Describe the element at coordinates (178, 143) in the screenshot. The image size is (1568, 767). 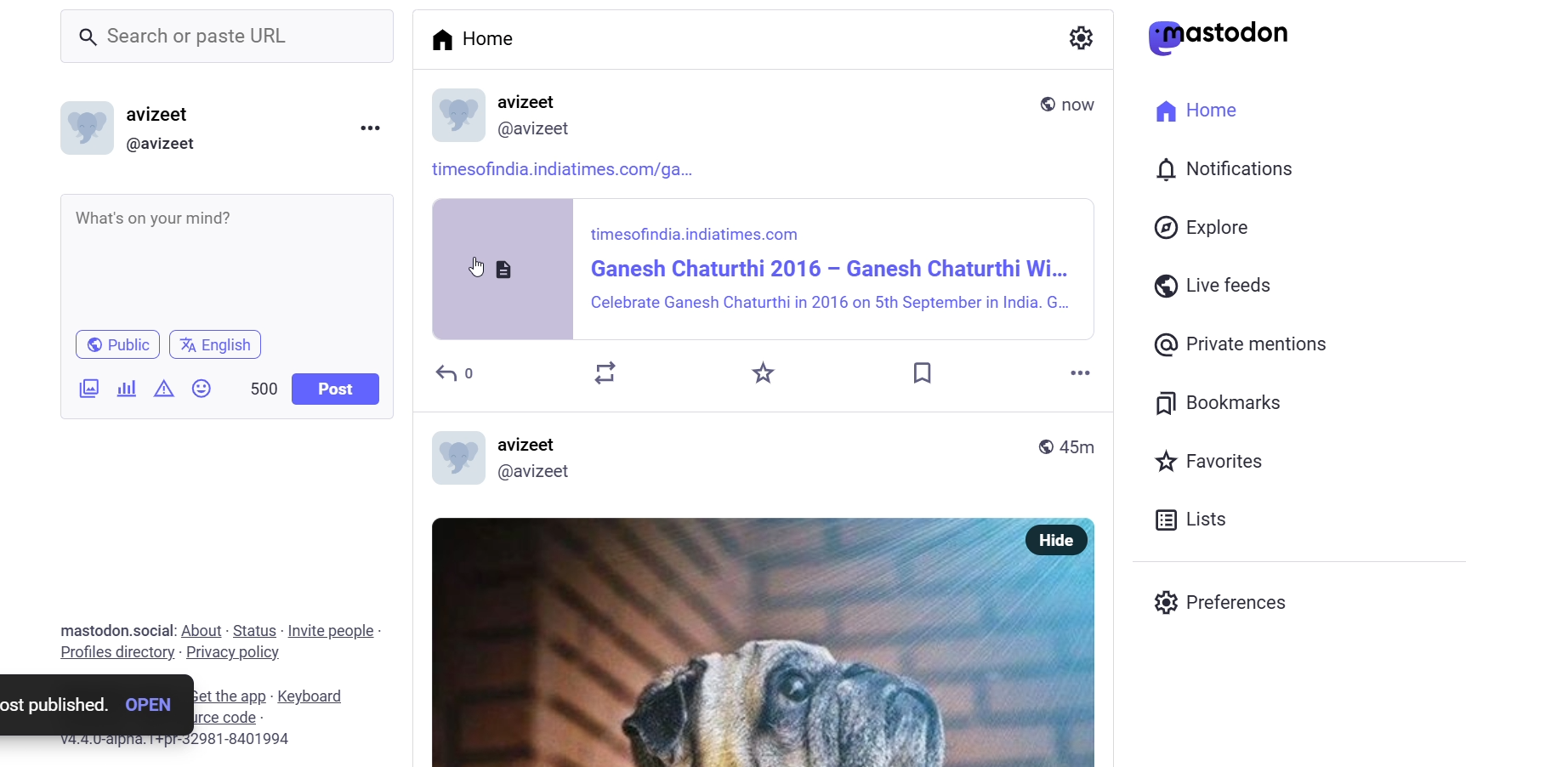
I see `(@avizeet` at that location.